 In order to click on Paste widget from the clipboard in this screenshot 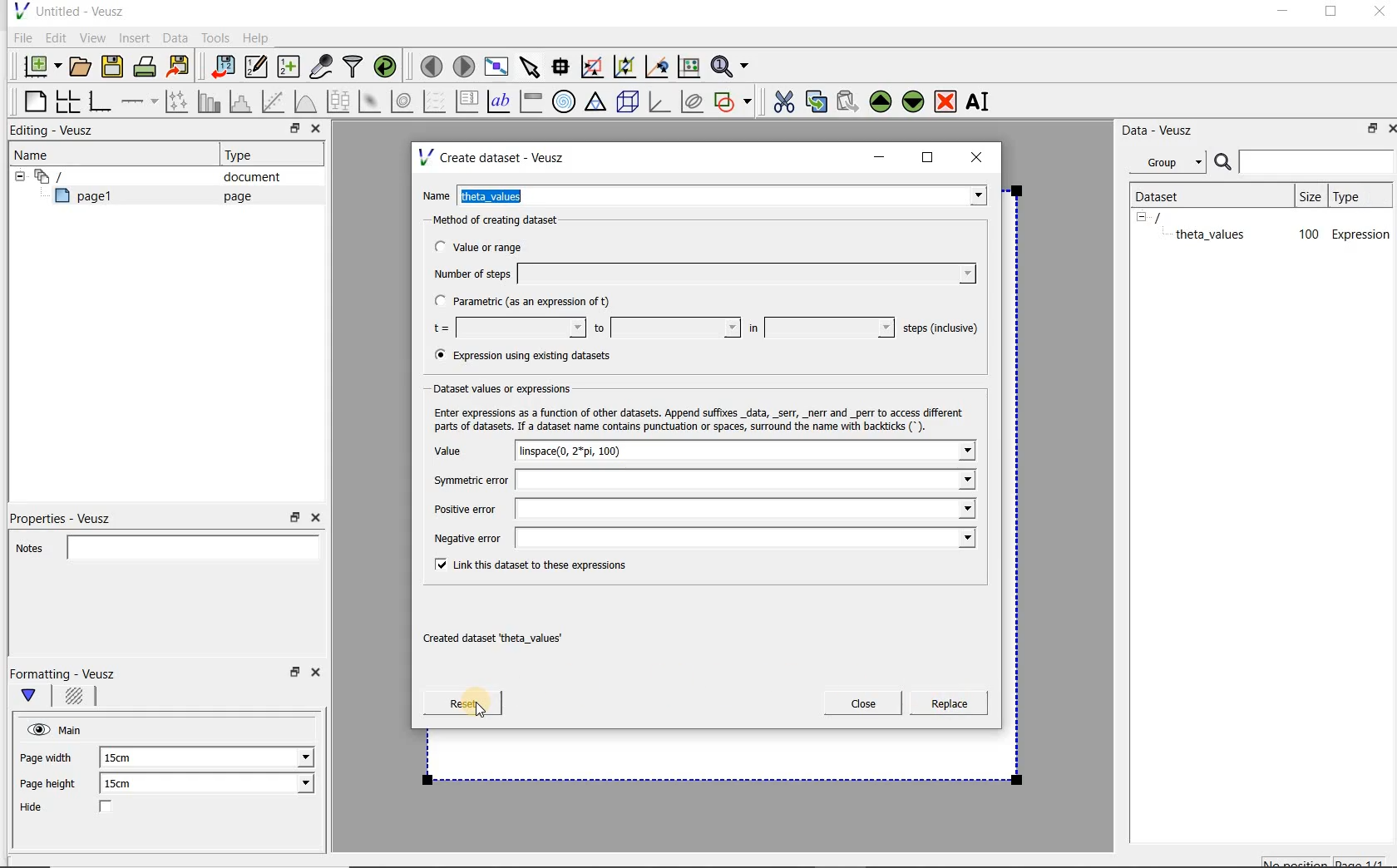, I will do `click(850, 101)`.